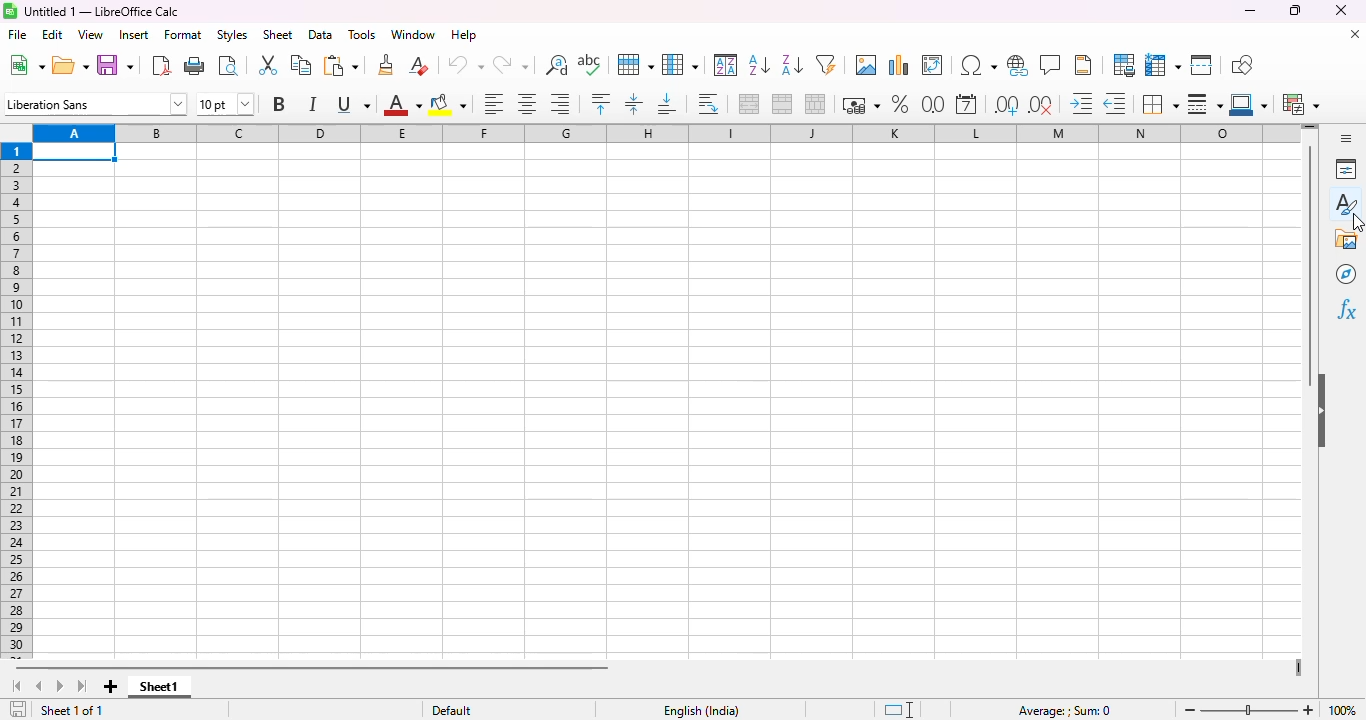  I want to click on headers and footers, so click(1083, 65).